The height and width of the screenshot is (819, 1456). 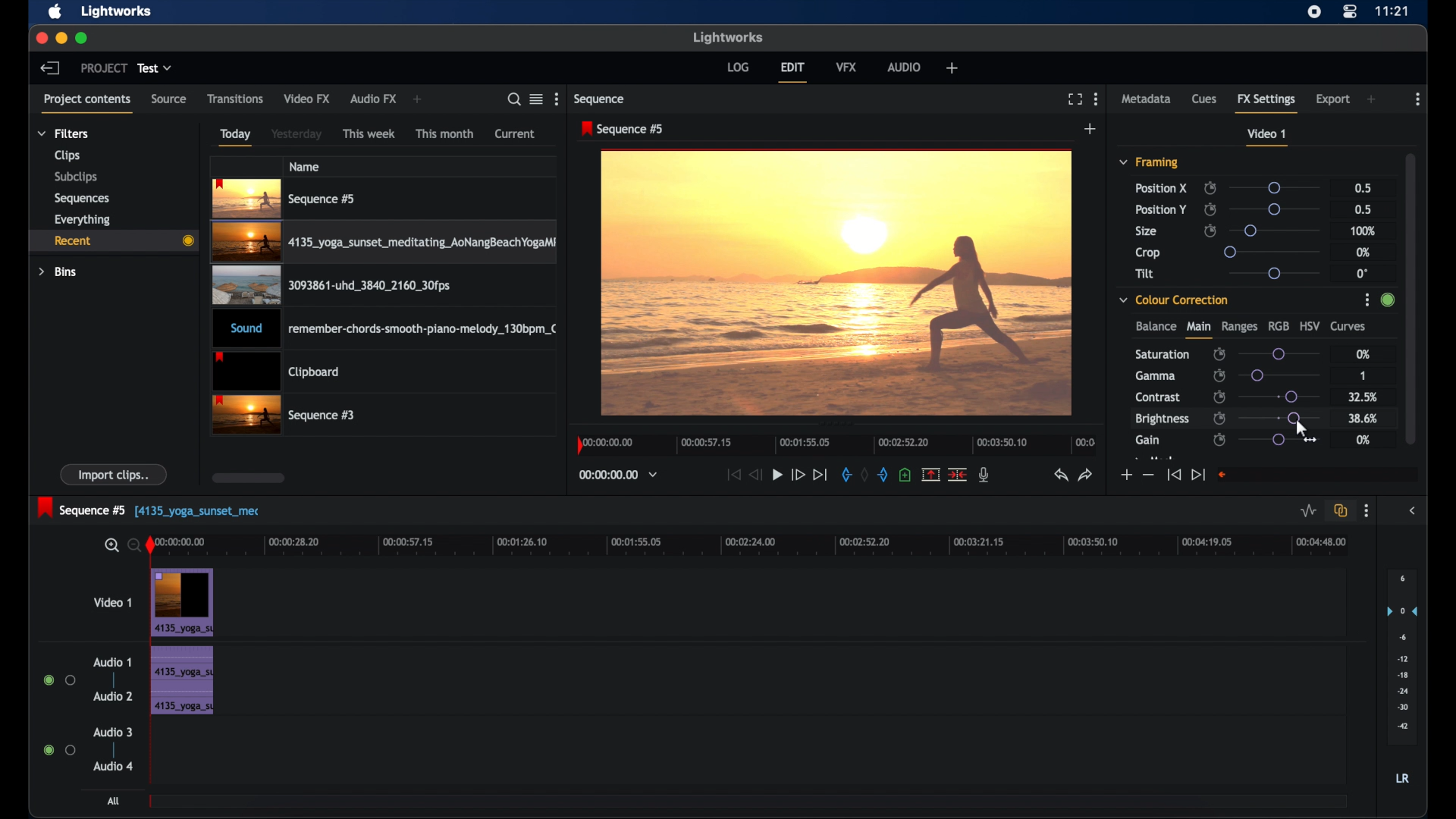 What do you see at coordinates (276, 372) in the screenshot?
I see `clipboard` at bounding box center [276, 372].